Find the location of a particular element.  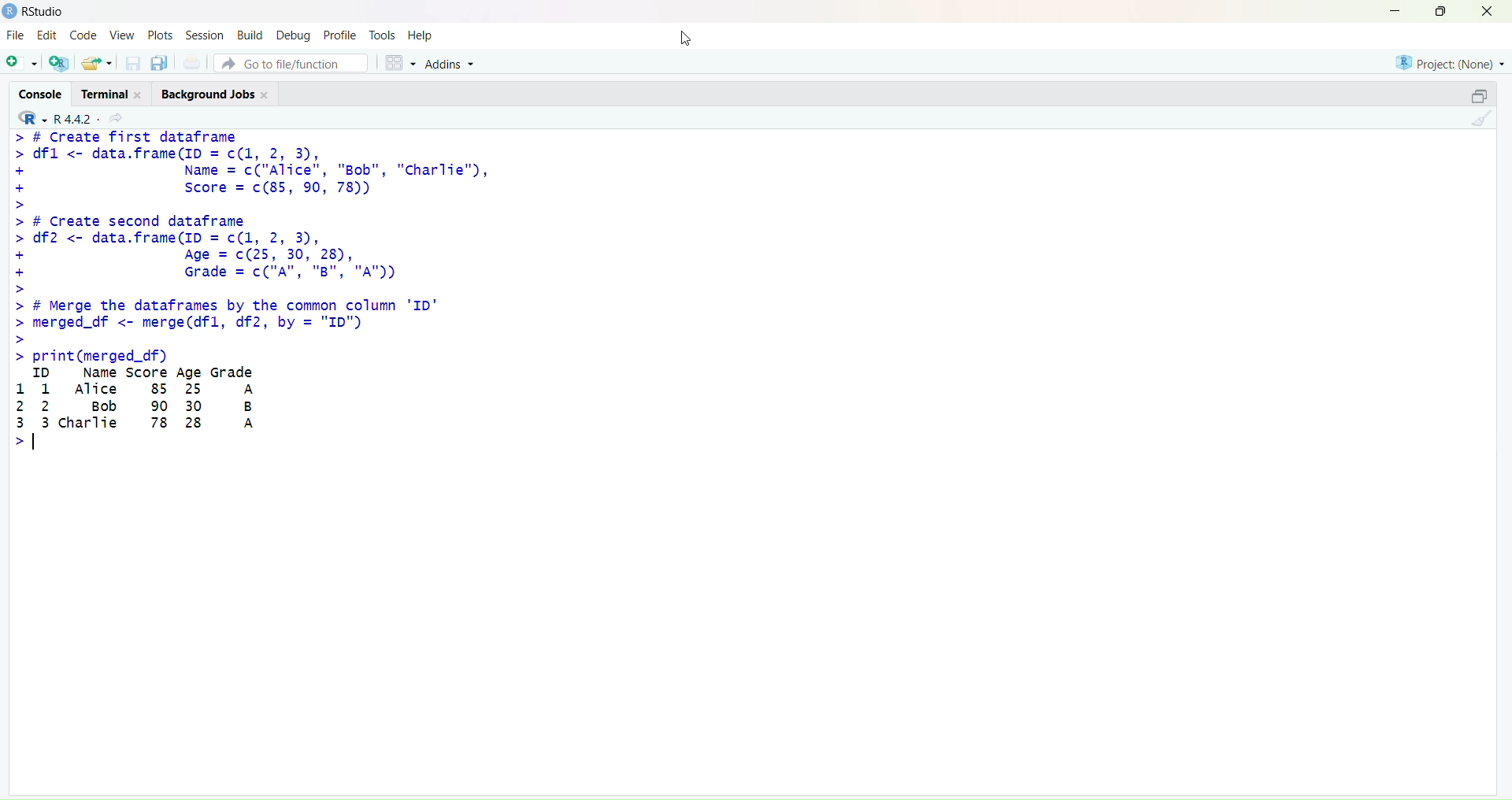

maximize is located at coordinates (1441, 9).